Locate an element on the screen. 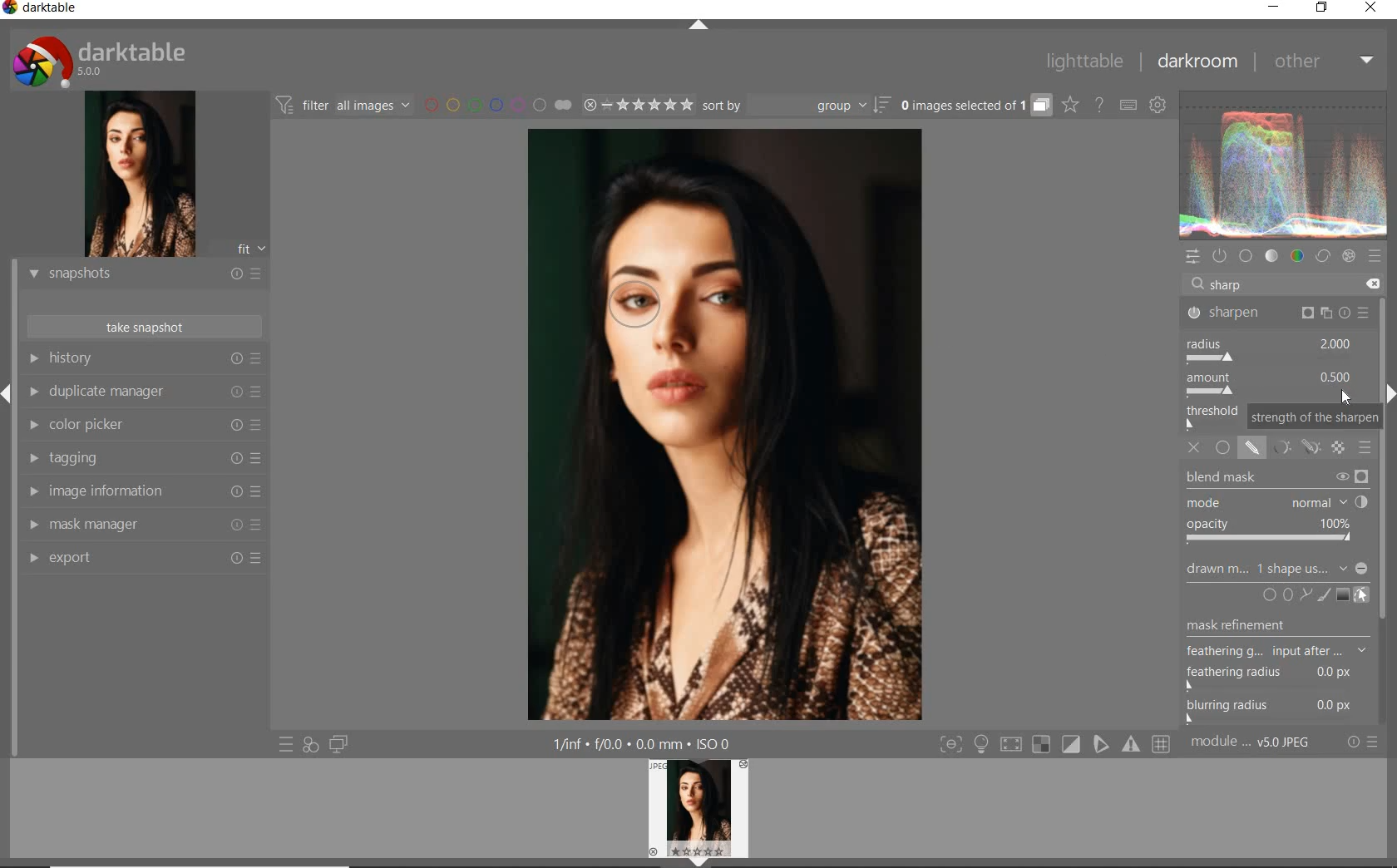  add path is located at coordinates (1306, 594).